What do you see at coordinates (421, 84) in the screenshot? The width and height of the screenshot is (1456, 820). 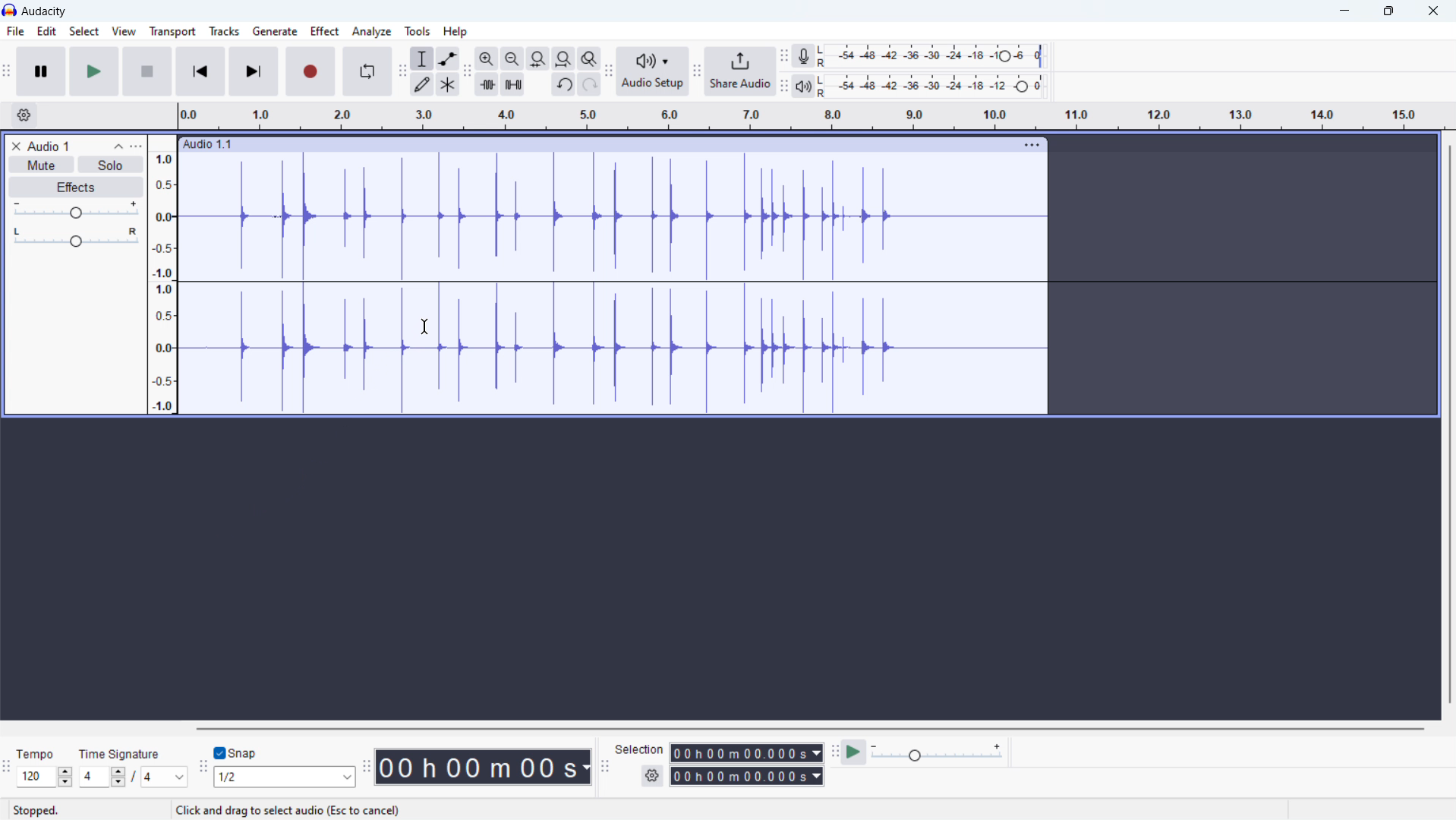 I see `draw tool` at bounding box center [421, 84].